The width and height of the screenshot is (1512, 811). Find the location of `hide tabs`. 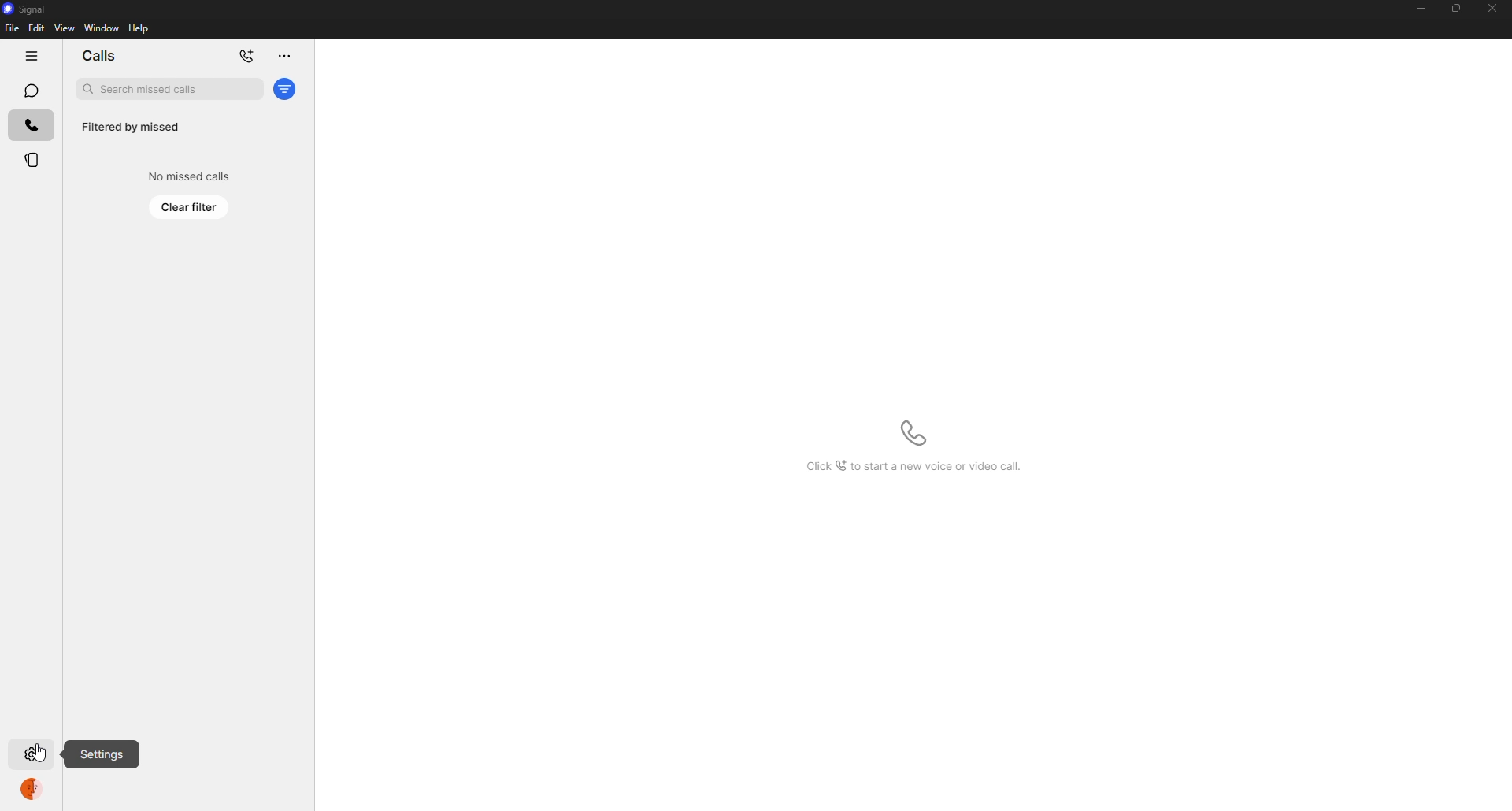

hide tabs is located at coordinates (26, 56).